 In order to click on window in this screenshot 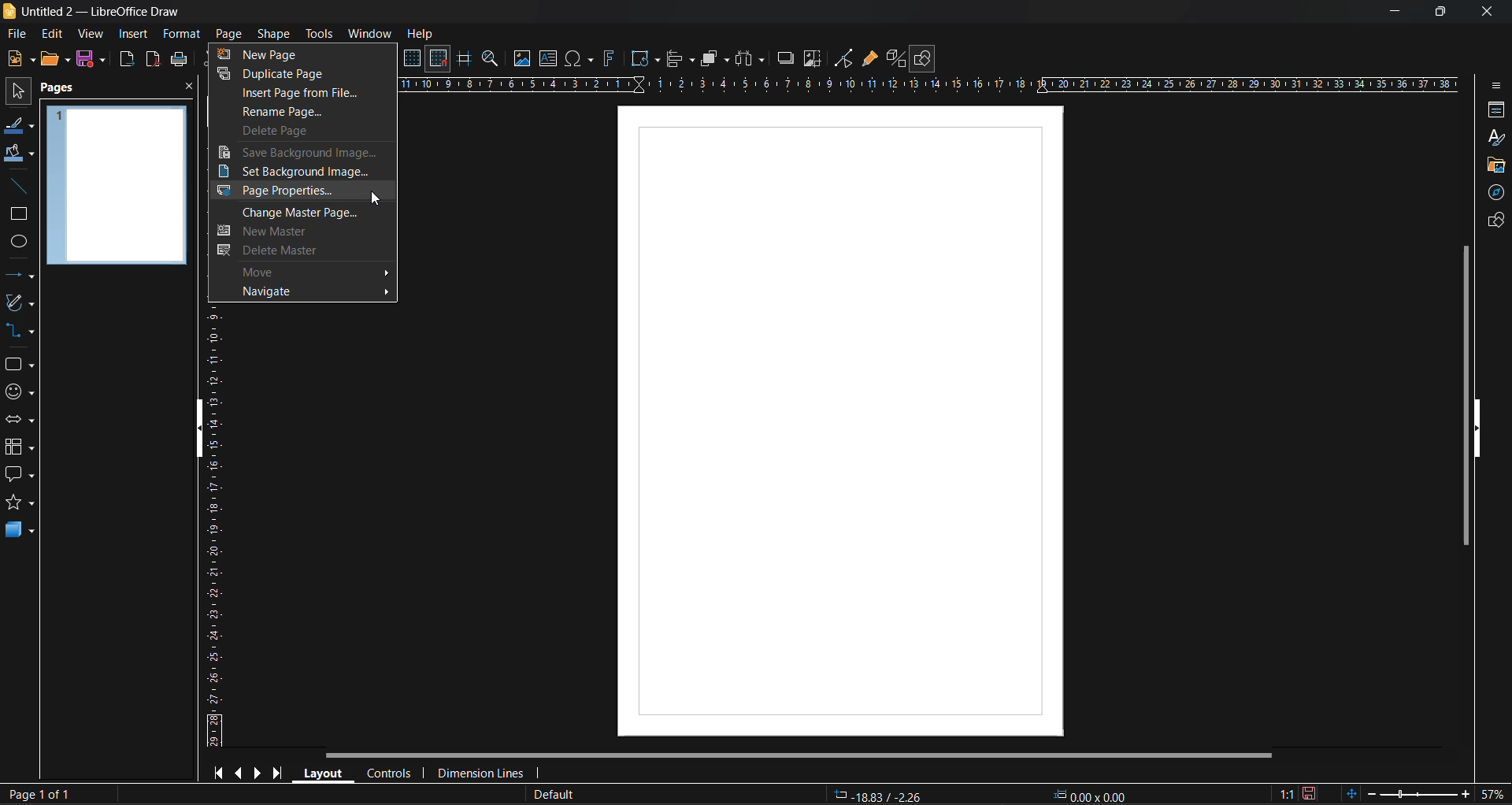, I will do `click(373, 32)`.